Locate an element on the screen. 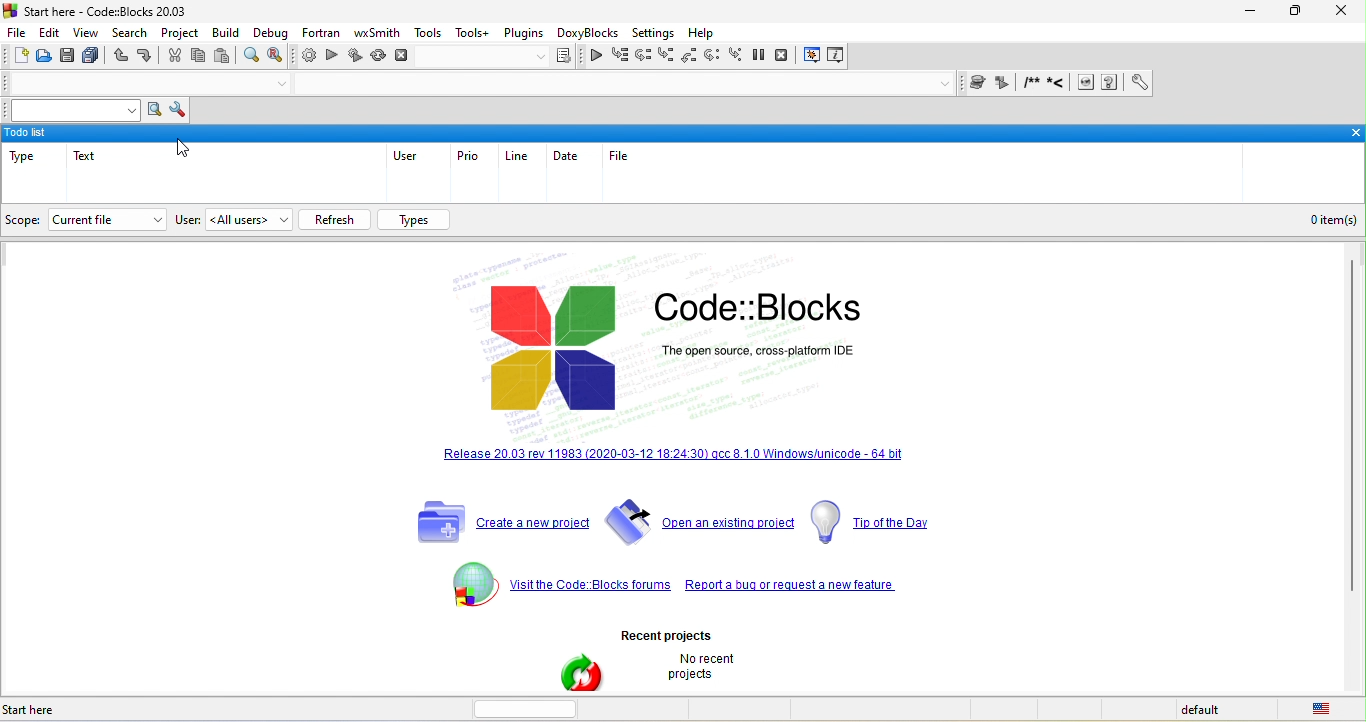 This screenshot has height=722, width=1366. open an existing project is located at coordinates (706, 526).